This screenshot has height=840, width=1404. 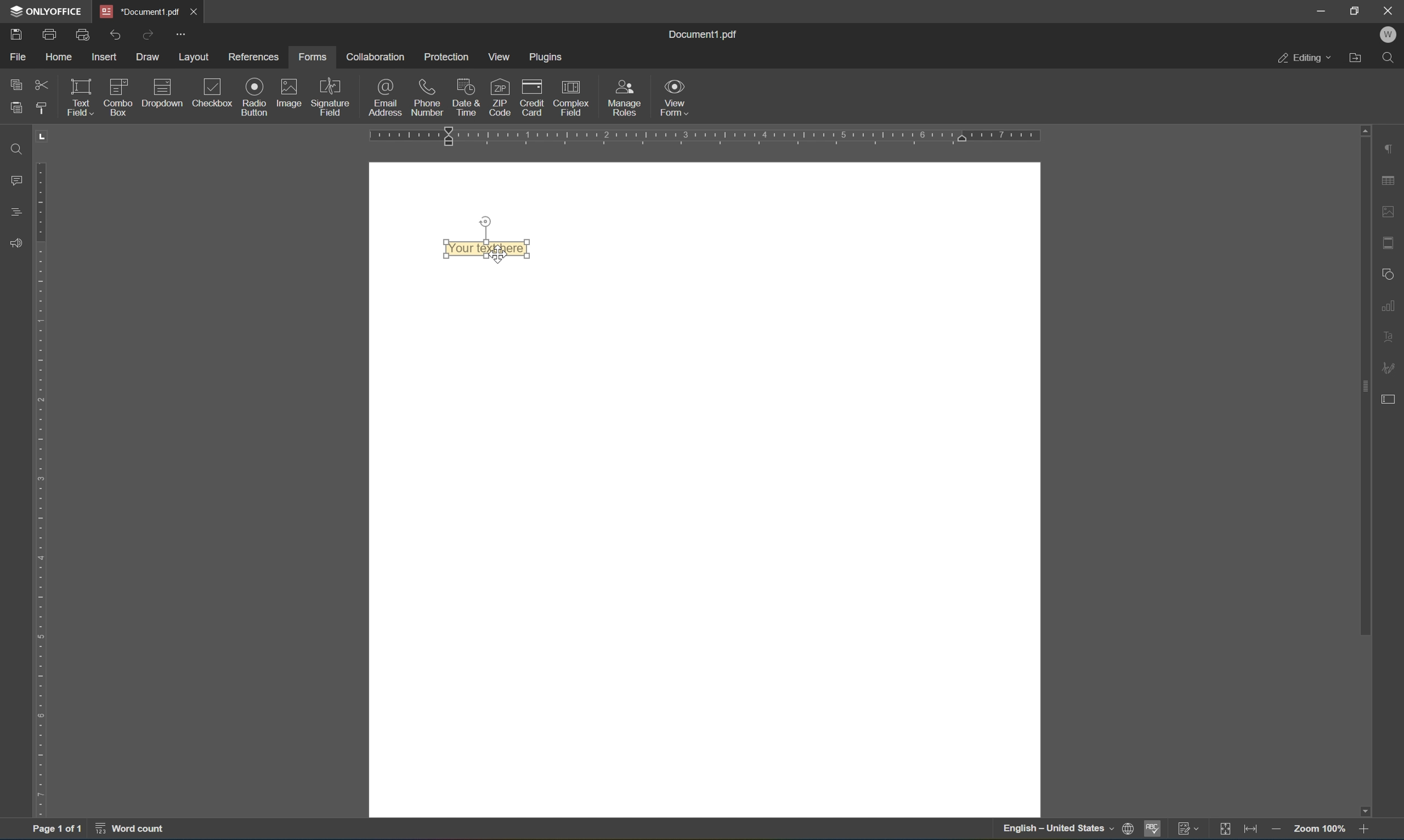 What do you see at coordinates (533, 96) in the screenshot?
I see `credit card` at bounding box center [533, 96].